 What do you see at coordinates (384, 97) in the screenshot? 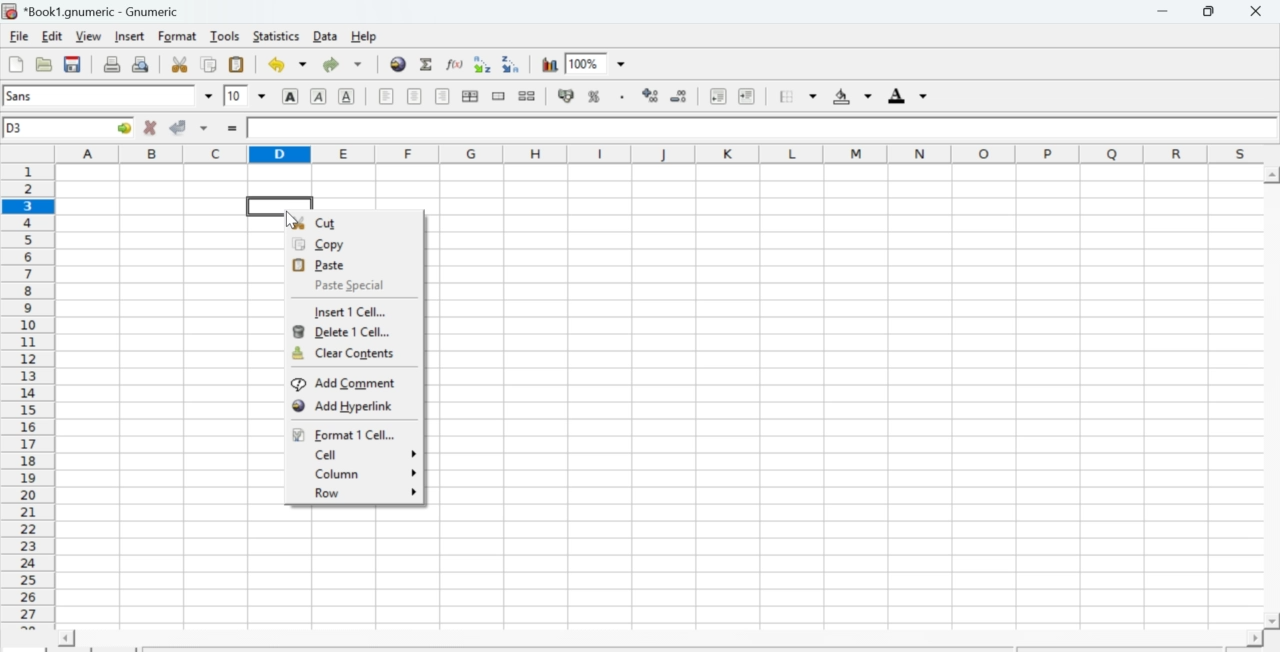
I see `Align Left` at bounding box center [384, 97].